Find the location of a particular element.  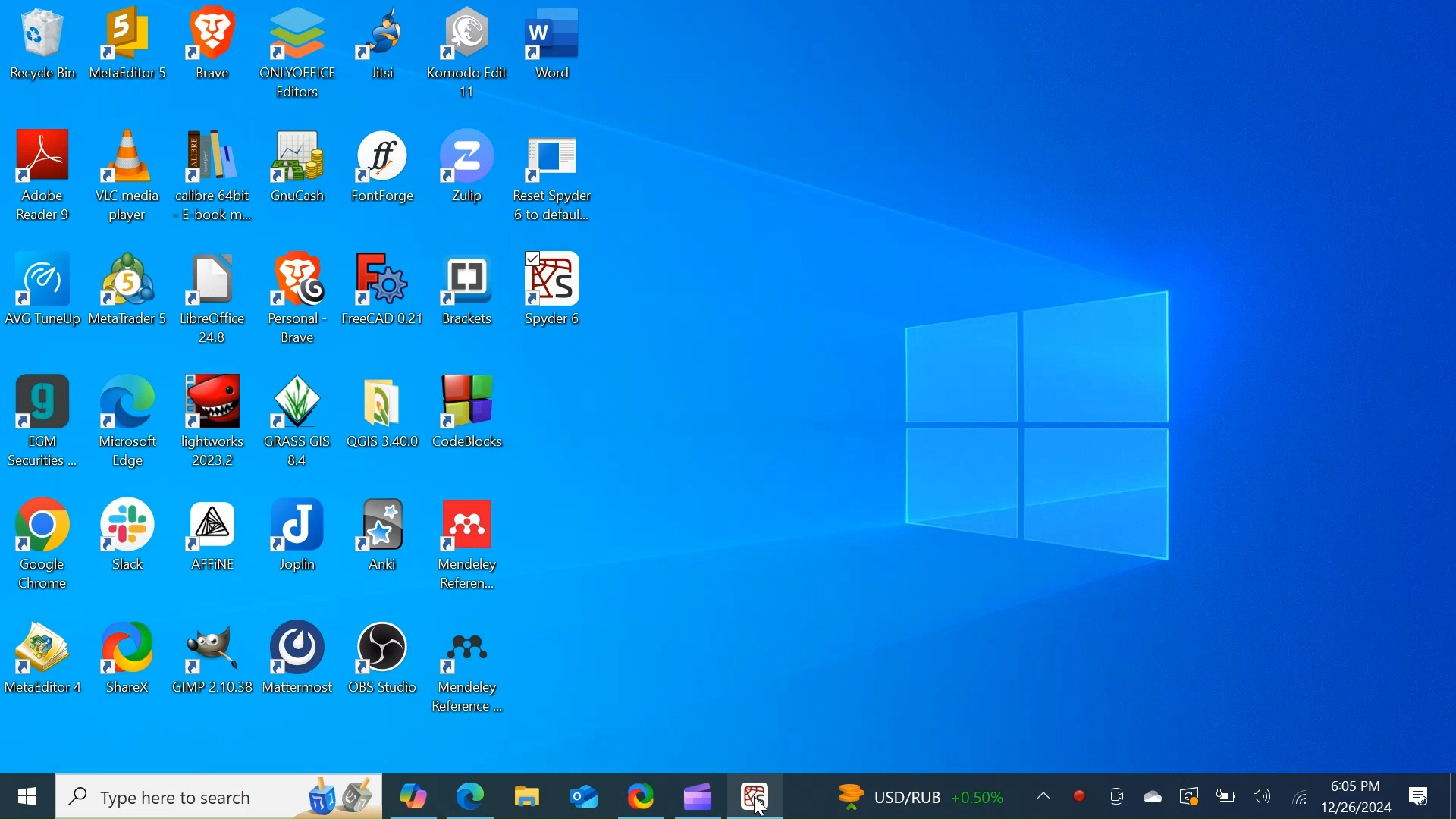

VLC Media Desktop Icon is located at coordinates (129, 178).